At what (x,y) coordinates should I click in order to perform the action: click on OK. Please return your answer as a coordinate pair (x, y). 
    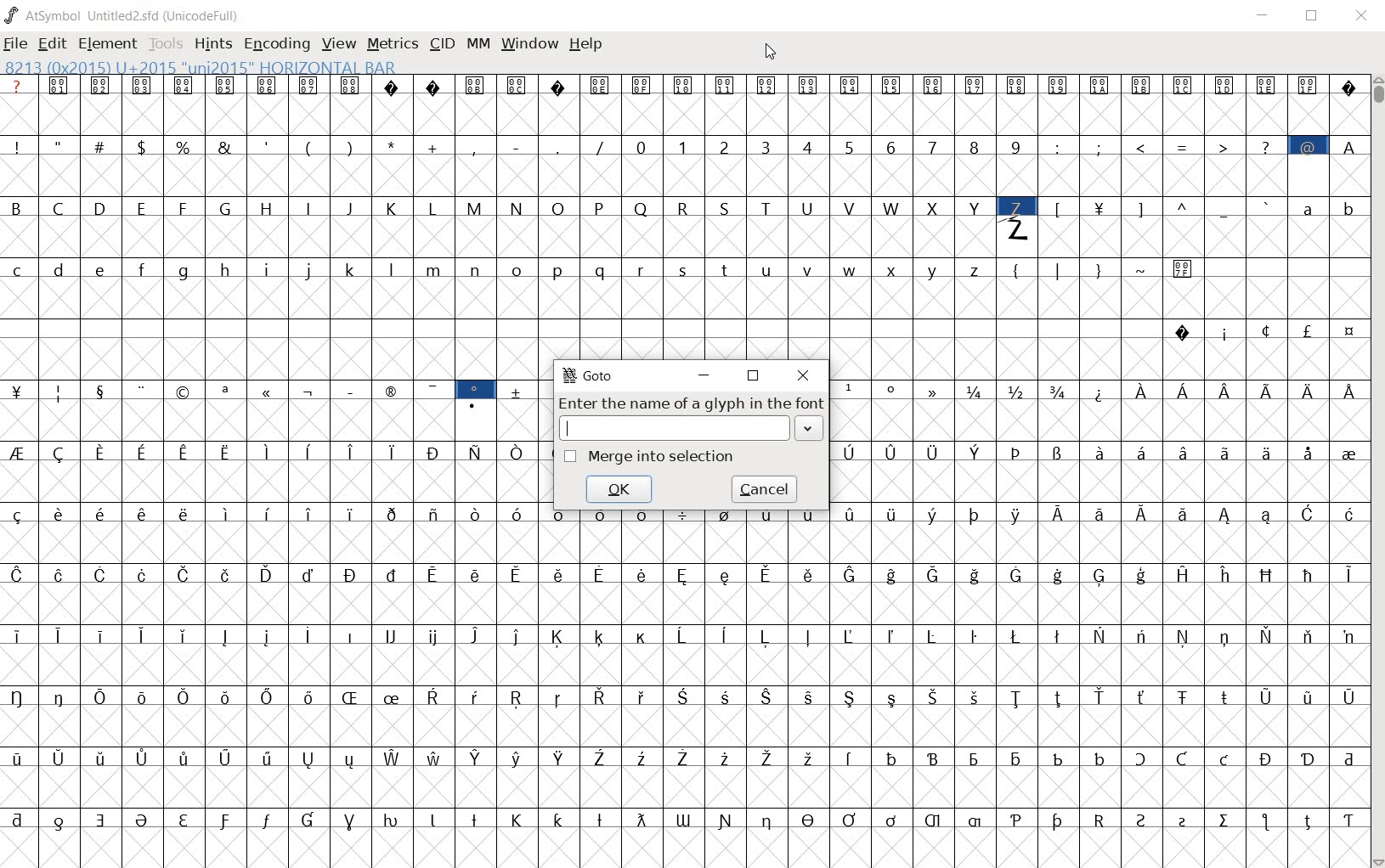
    Looking at the image, I should click on (620, 489).